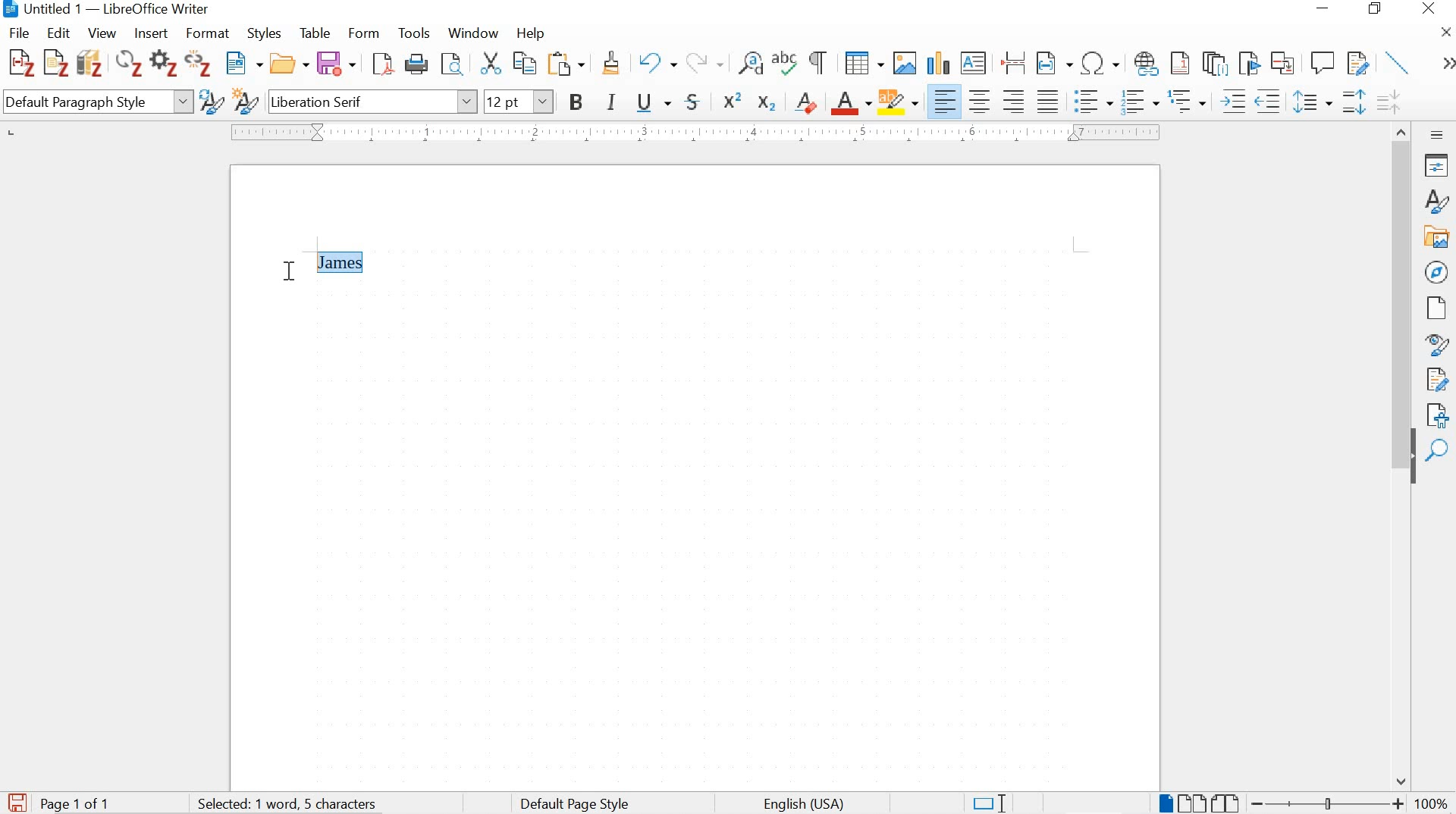  Describe the element at coordinates (340, 262) in the screenshot. I see `"James" highlighted` at that location.